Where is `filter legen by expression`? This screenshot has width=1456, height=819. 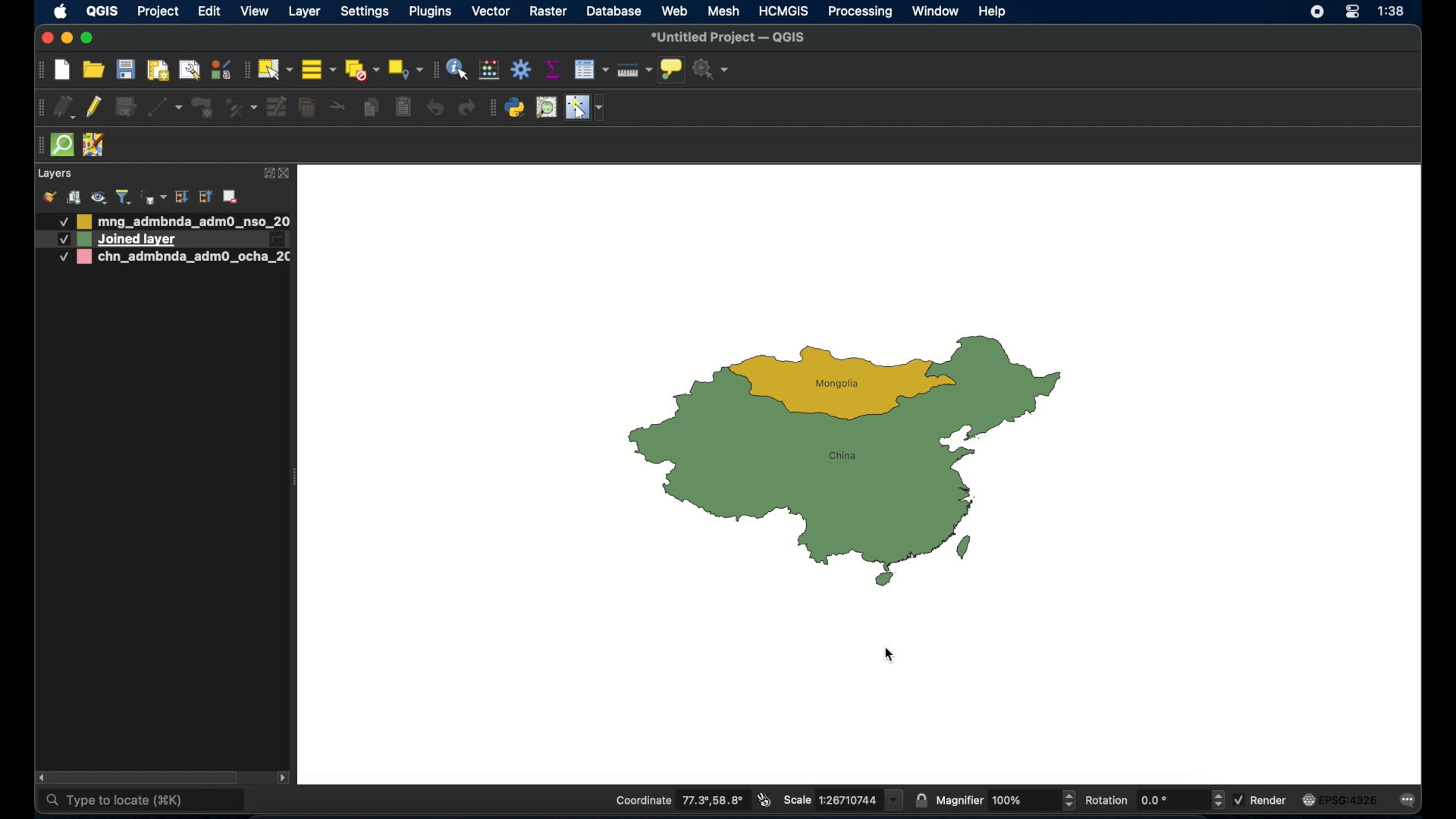
filter legen by expression is located at coordinates (152, 196).